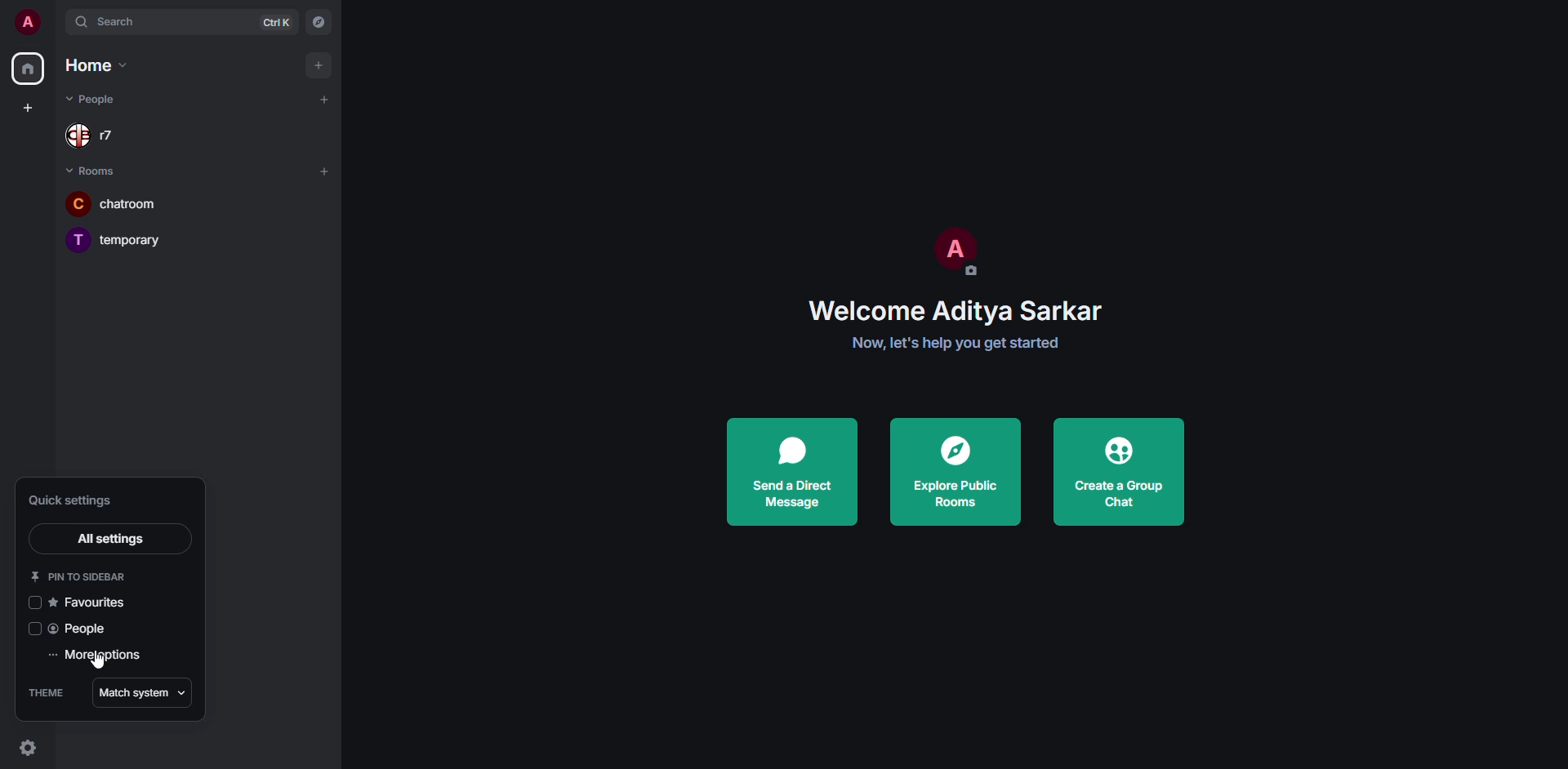  What do you see at coordinates (98, 67) in the screenshot?
I see `home` at bounding box center [98, 67].